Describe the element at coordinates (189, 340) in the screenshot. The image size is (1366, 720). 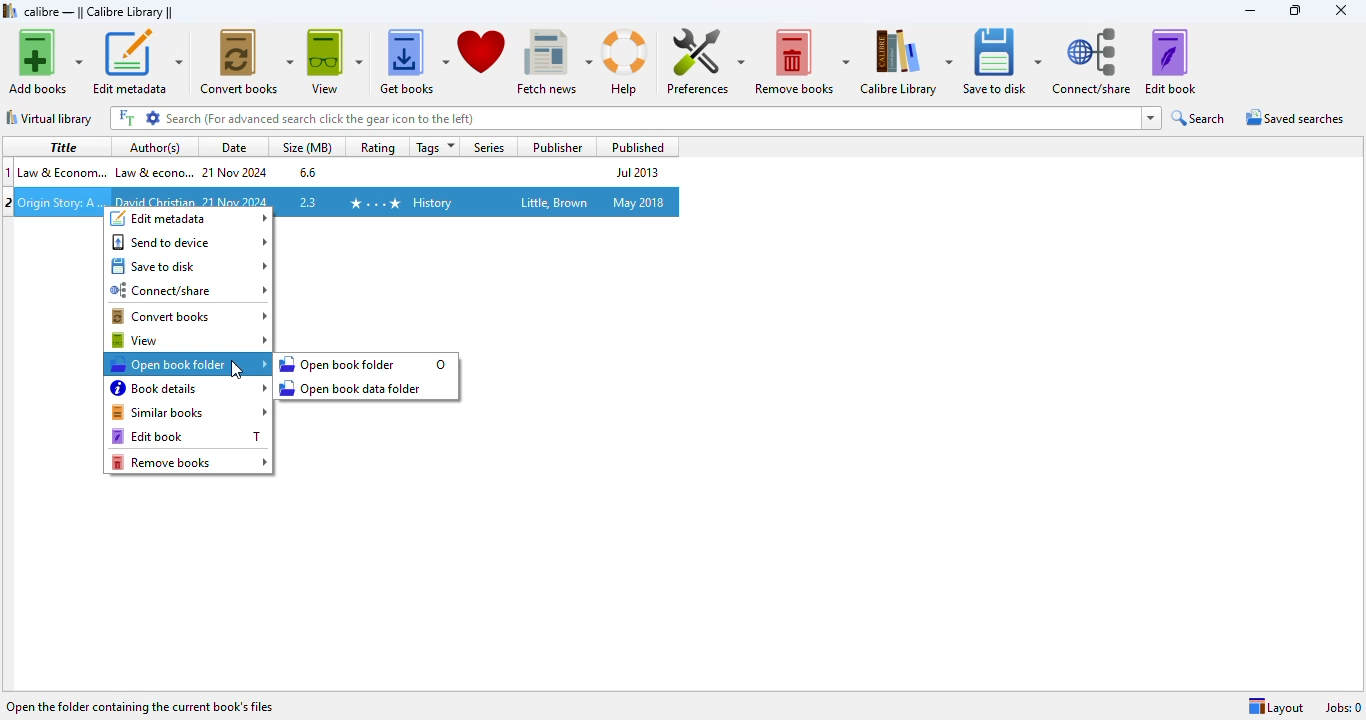
I see `view` at that location.